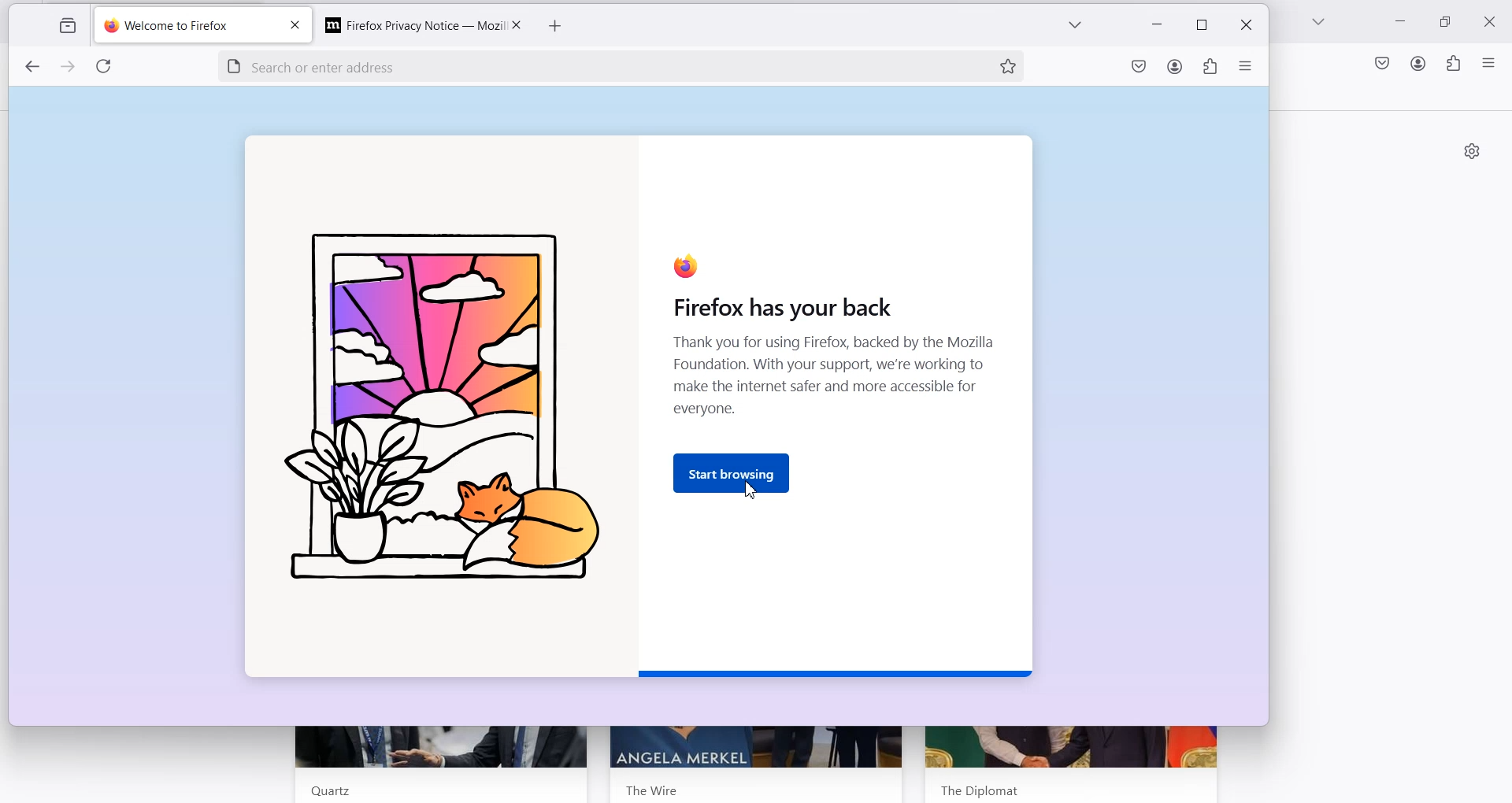 Image resolution: width=1512 pixels, height=803 pixels. What do you see at coordinates (1246, 69) in the screenshot?
I see `open application menu` at bounding box center [1246, 69].